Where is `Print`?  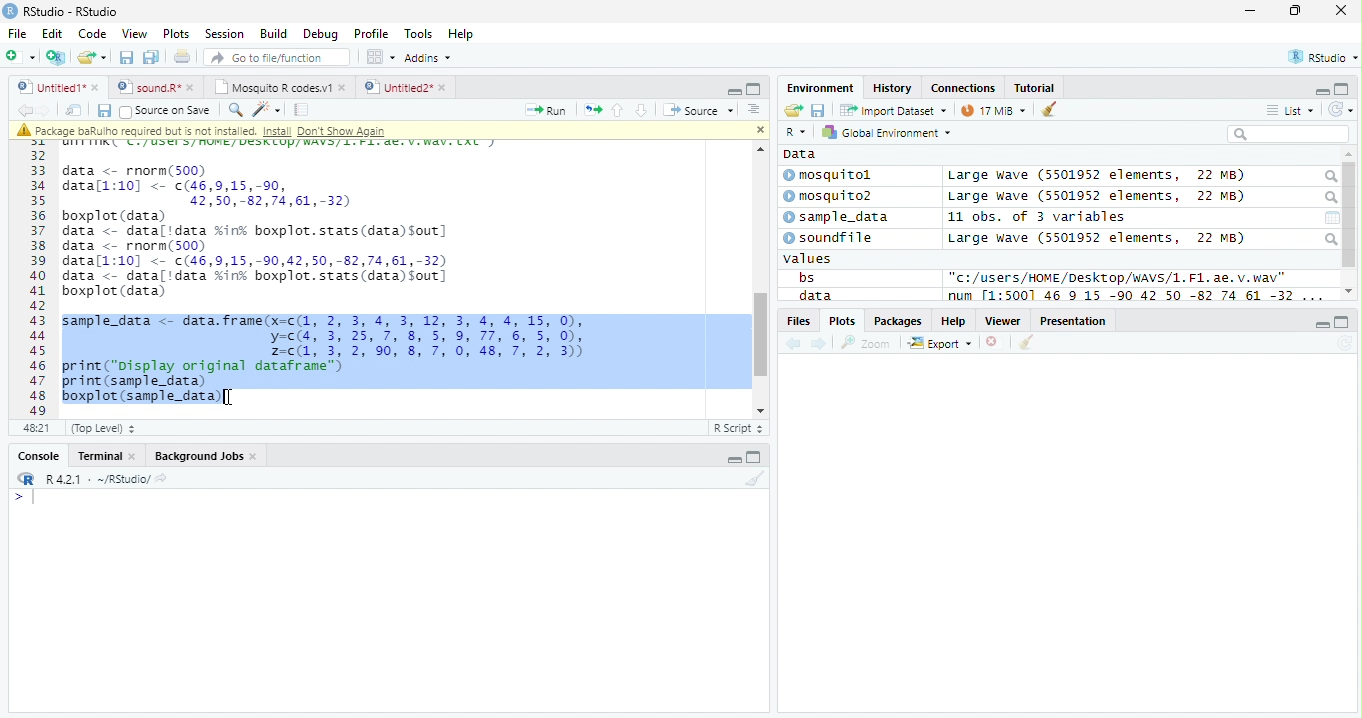 Print is located at coordinates (183, 58).